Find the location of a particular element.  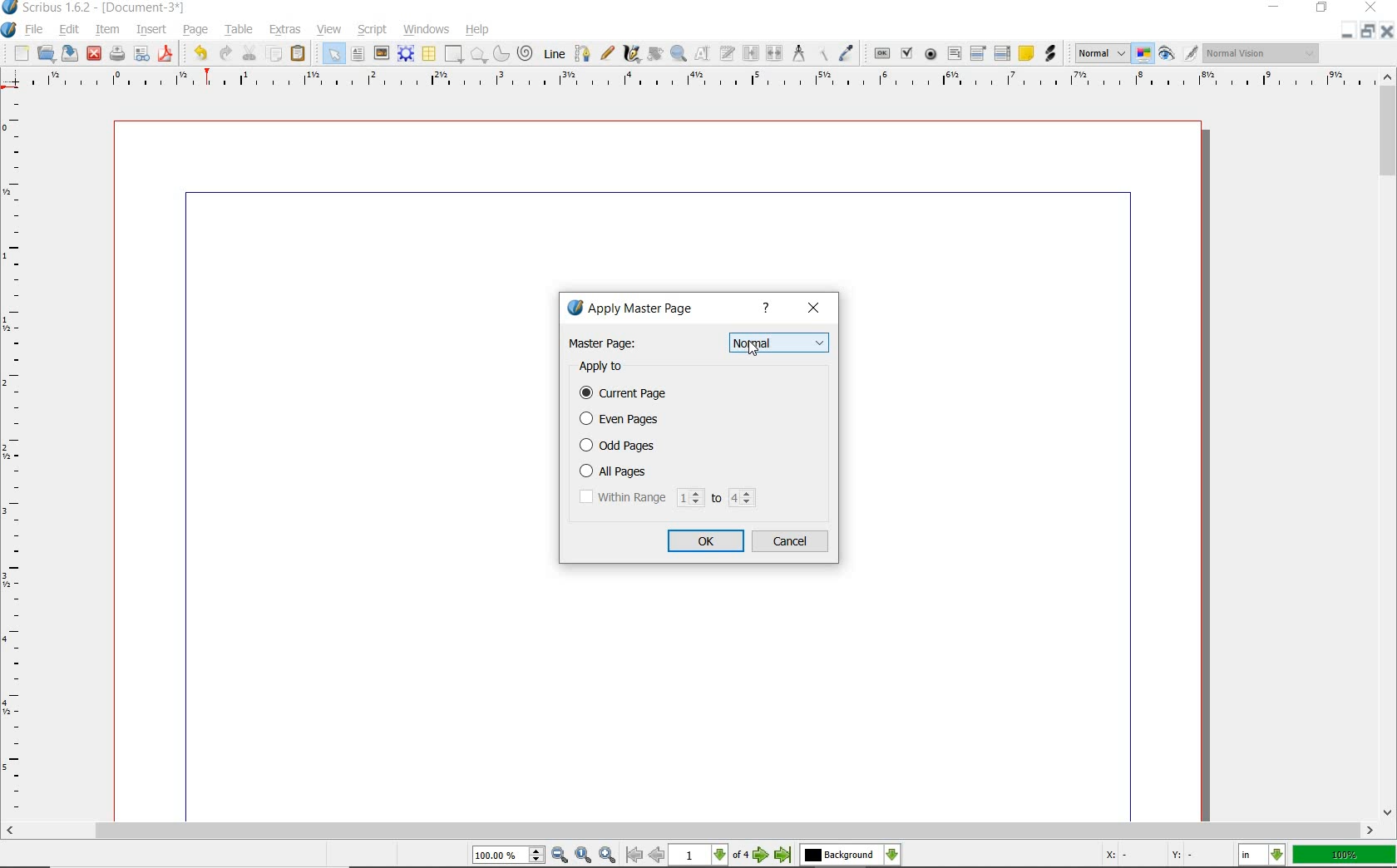

print is located at coordinates (117, 52).